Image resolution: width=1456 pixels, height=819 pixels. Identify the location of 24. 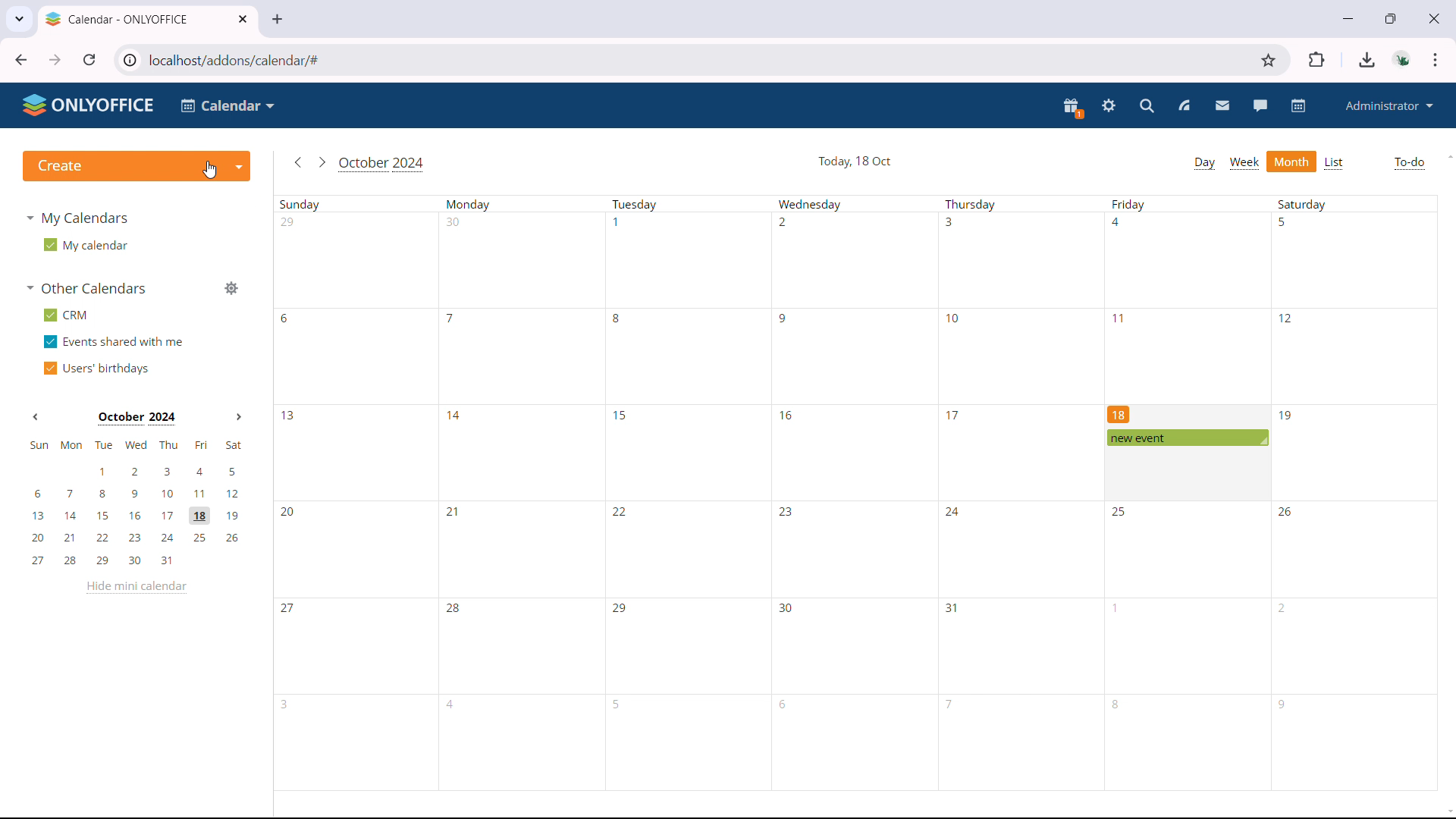
(952, 513).